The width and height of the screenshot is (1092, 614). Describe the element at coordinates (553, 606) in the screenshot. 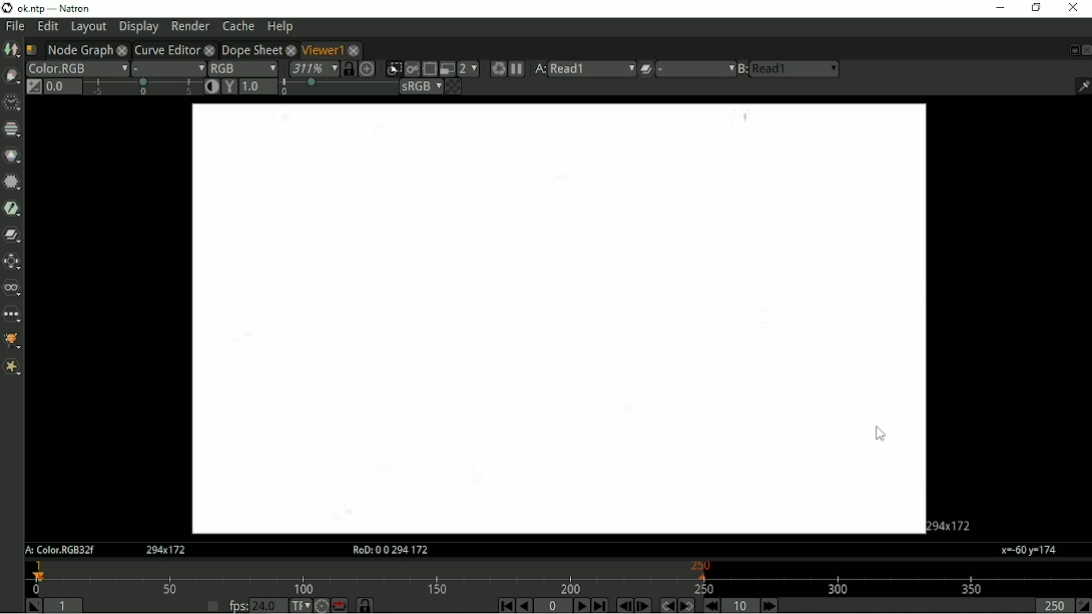

I see `Current frame` at that location.